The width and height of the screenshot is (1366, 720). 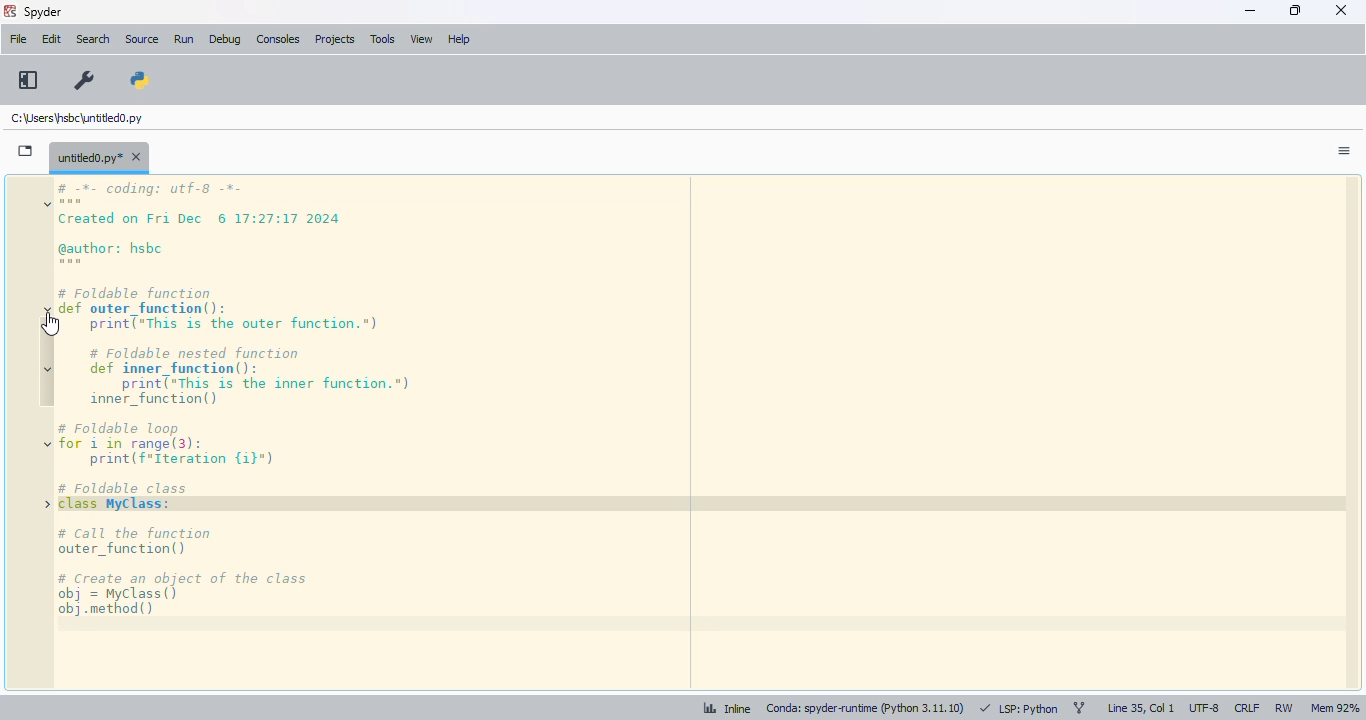 What do you see at coordinates (142, 39) in the screenshot?
I see `source` at bounding box center [142, 39].